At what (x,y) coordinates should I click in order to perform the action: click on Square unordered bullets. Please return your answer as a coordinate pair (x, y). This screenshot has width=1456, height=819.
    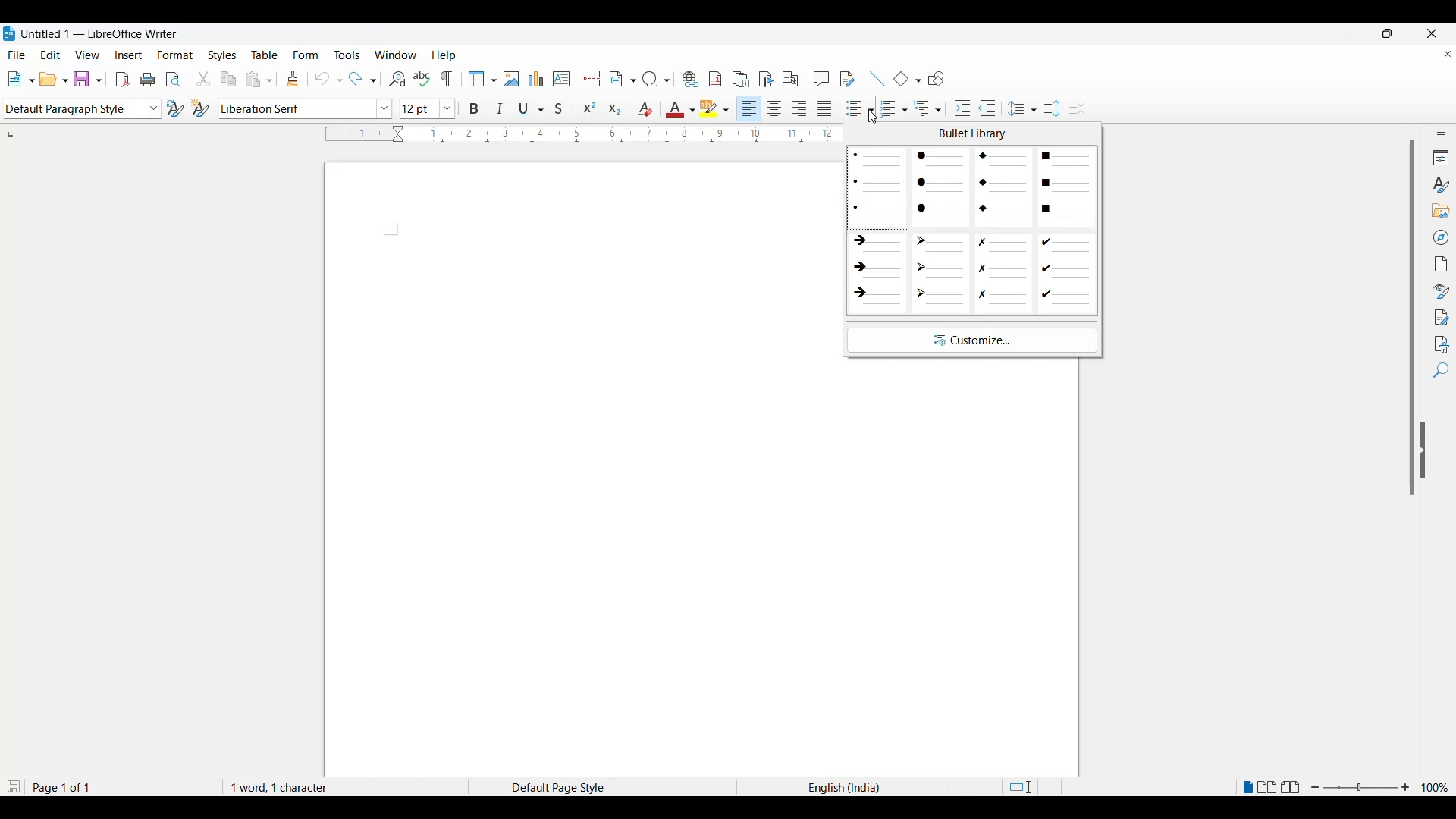
    Looking at the image, I should click on (1066, 187).